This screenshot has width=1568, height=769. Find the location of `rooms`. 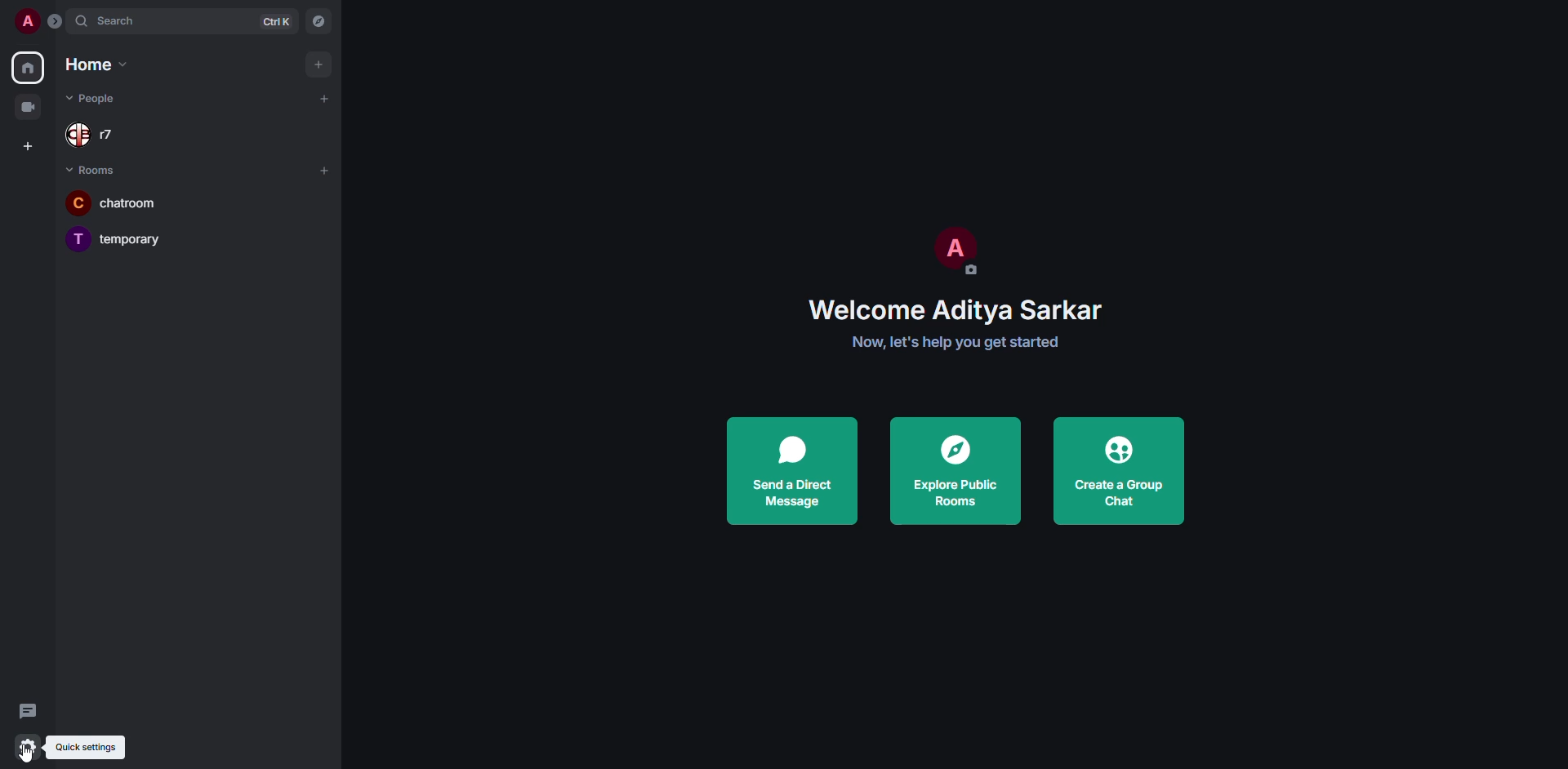

rooms is located at coordinates (95, 170).